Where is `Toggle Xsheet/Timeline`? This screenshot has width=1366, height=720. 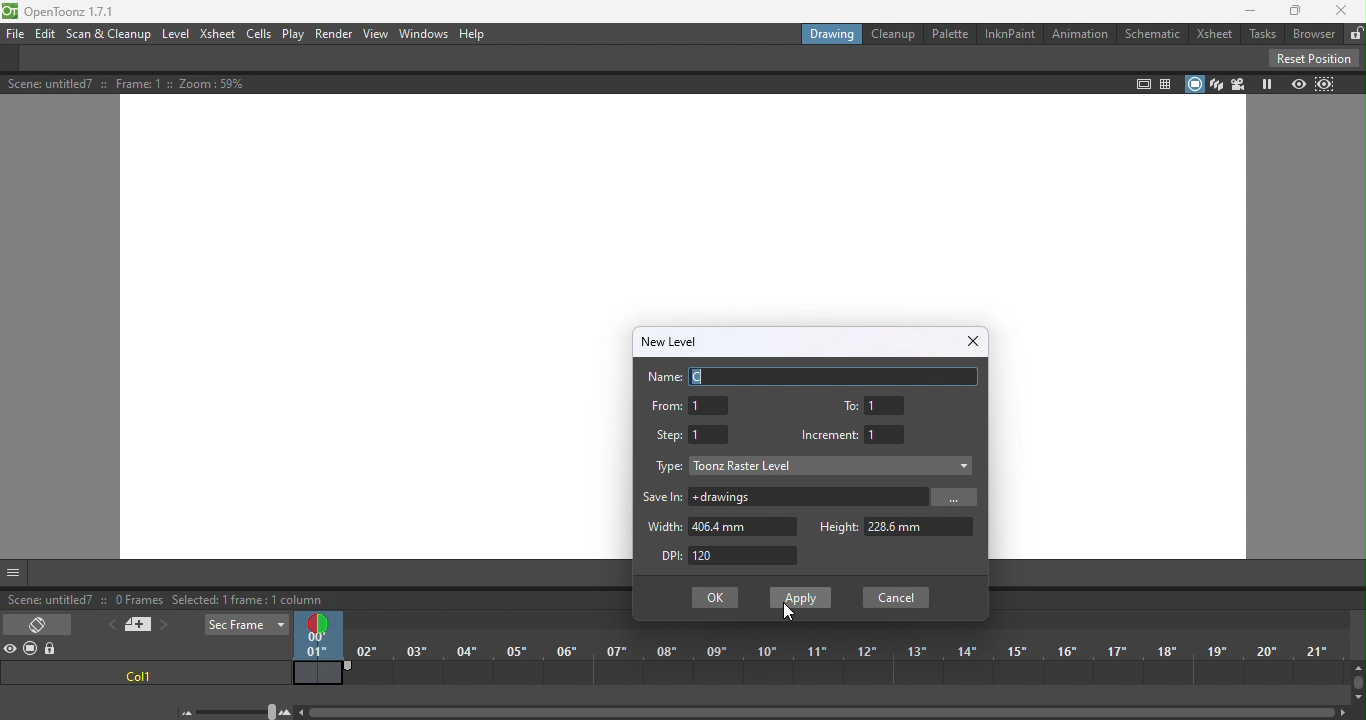
Toggle Xsheet/Timeline is located at coordinates (40, 622).